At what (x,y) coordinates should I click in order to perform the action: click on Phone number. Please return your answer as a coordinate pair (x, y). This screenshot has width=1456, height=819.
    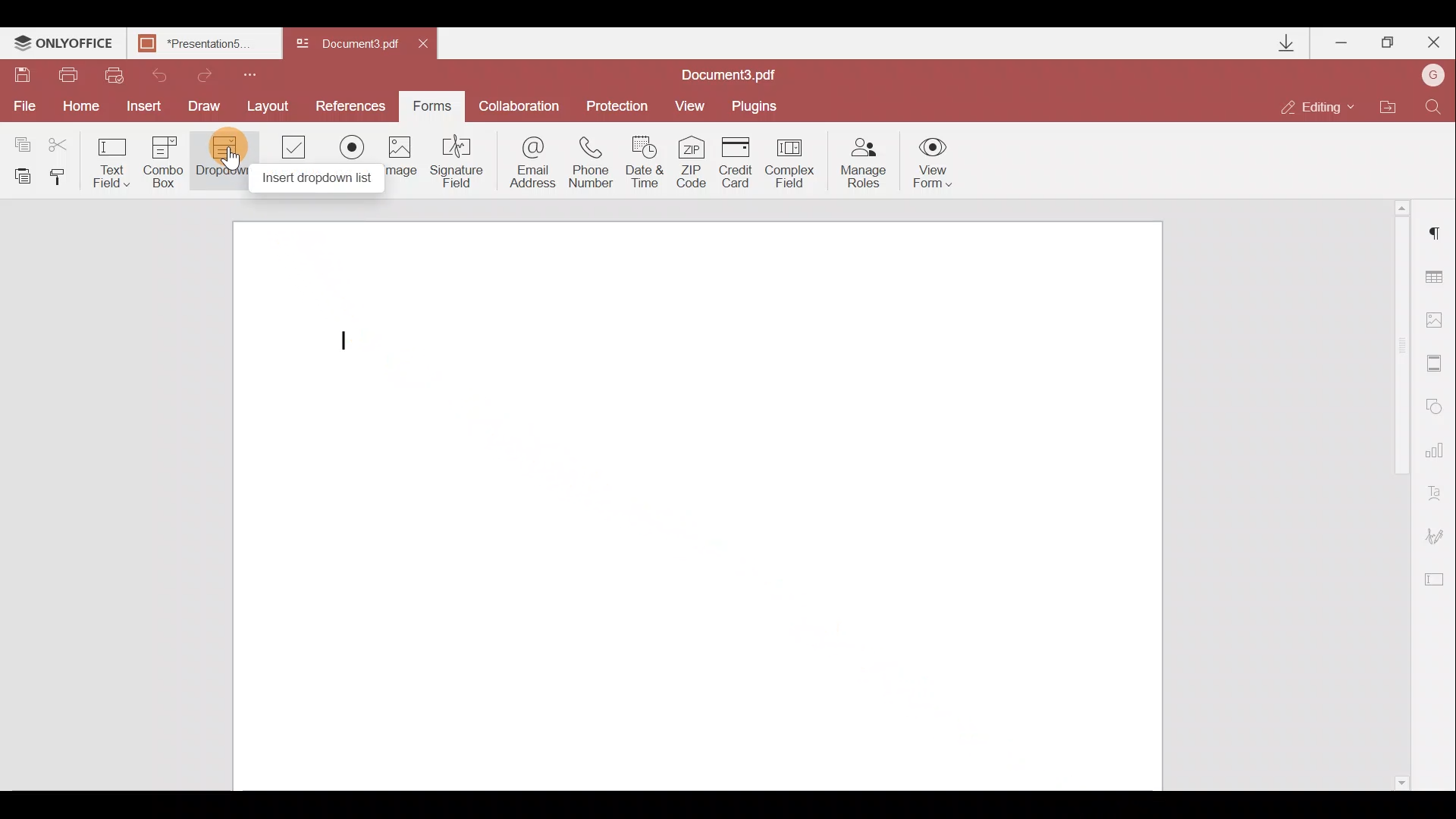
    Looking at the image, I should click on (593, 163).